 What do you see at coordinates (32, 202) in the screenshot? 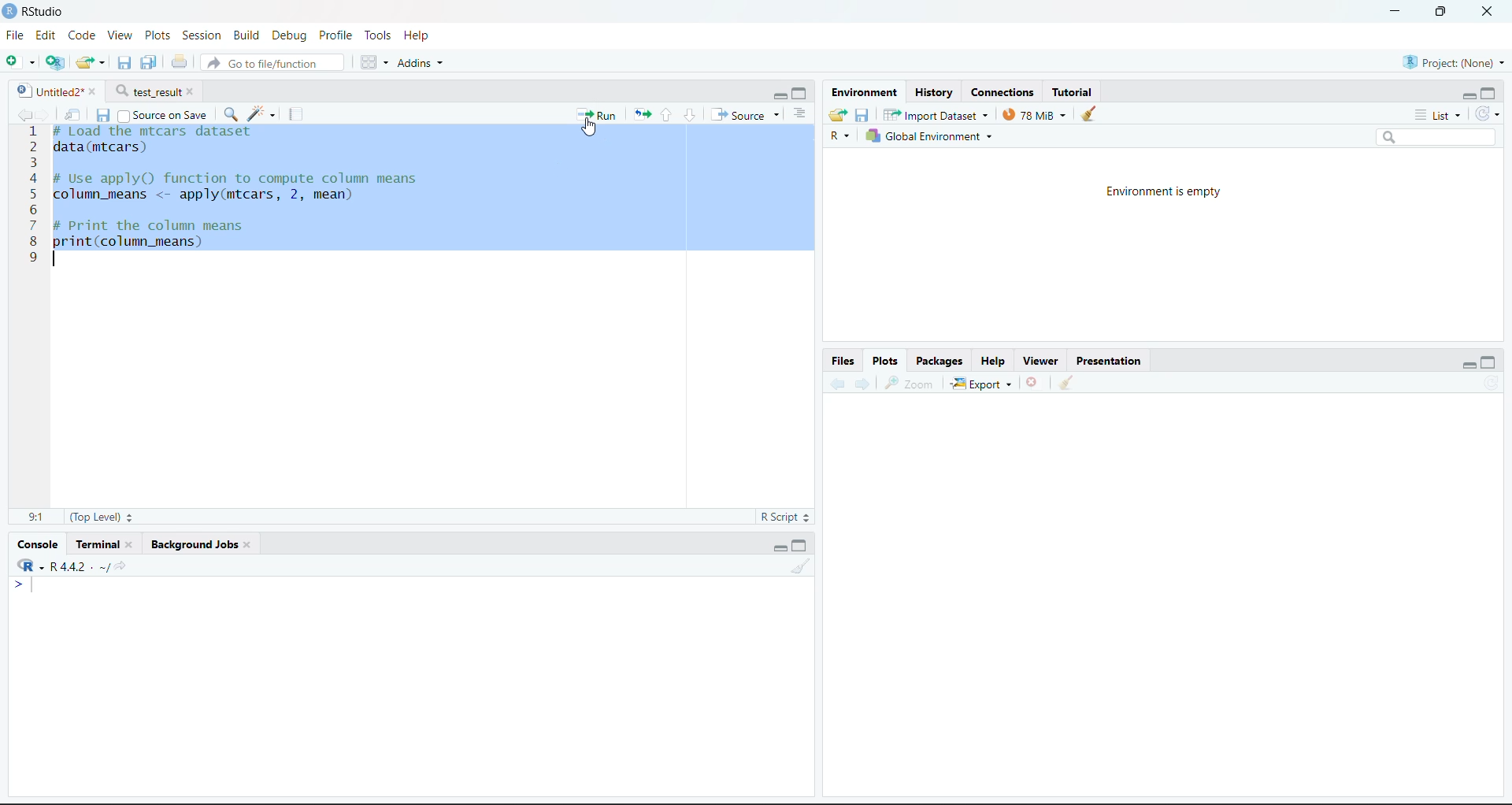
I see `1
2
3
4
3
6
7
8
9` at bounding box center [32, 202].